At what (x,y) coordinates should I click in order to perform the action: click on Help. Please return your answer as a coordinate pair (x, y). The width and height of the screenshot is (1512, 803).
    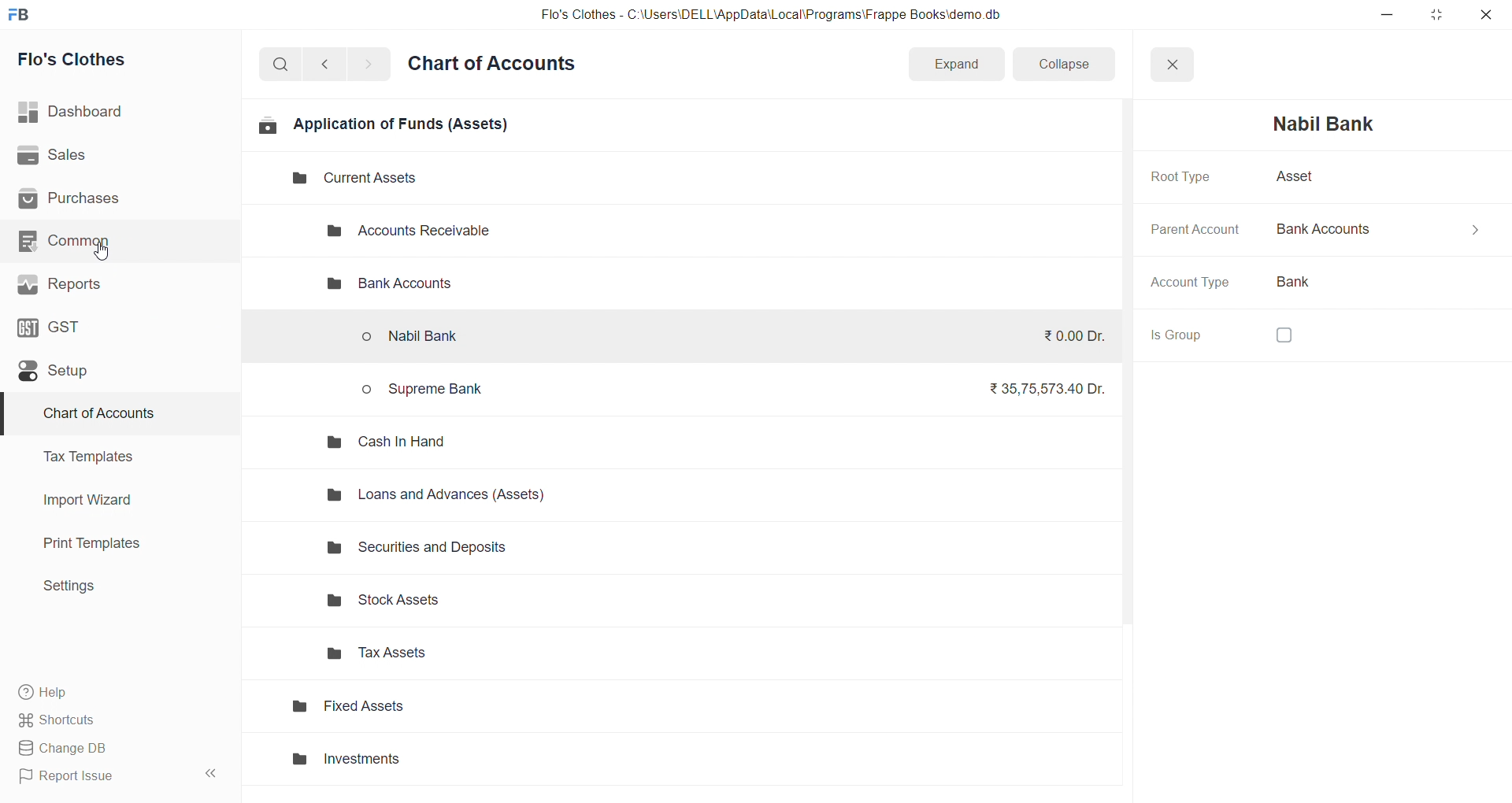
    Looking at the image, I should click on (114, 691).